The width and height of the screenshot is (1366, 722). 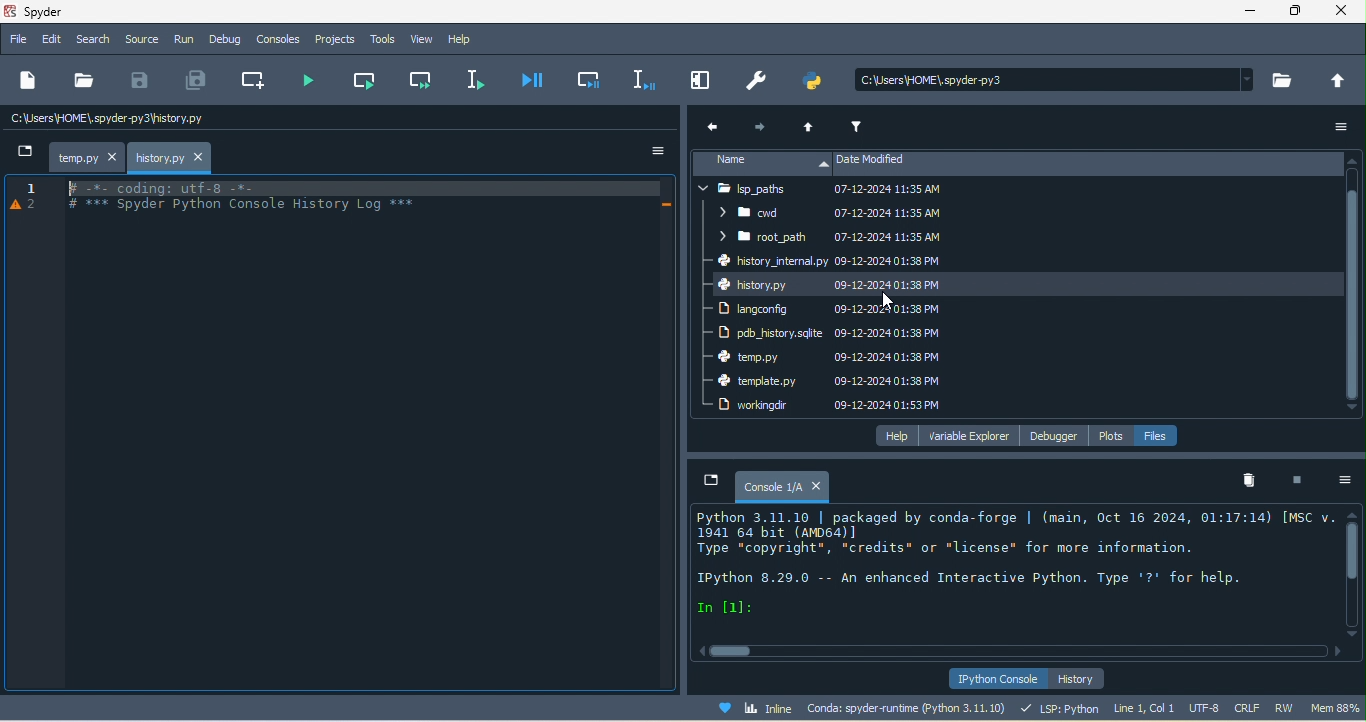 I want to click on open, so click(x=90, y=81).